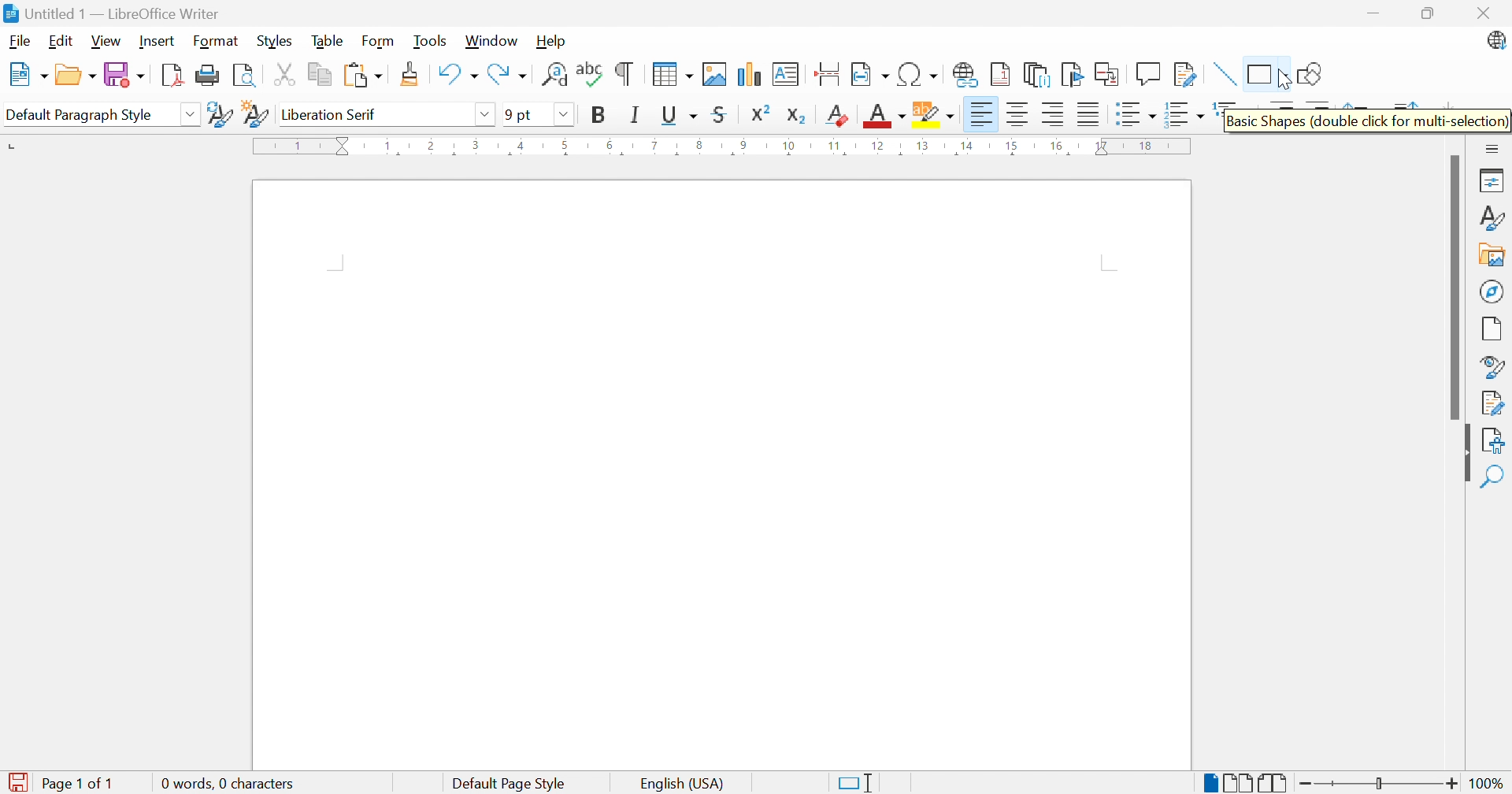 The height and width of the screenshot is (794, 1512). I want to click on Toggle print preview, so click(246, 76).